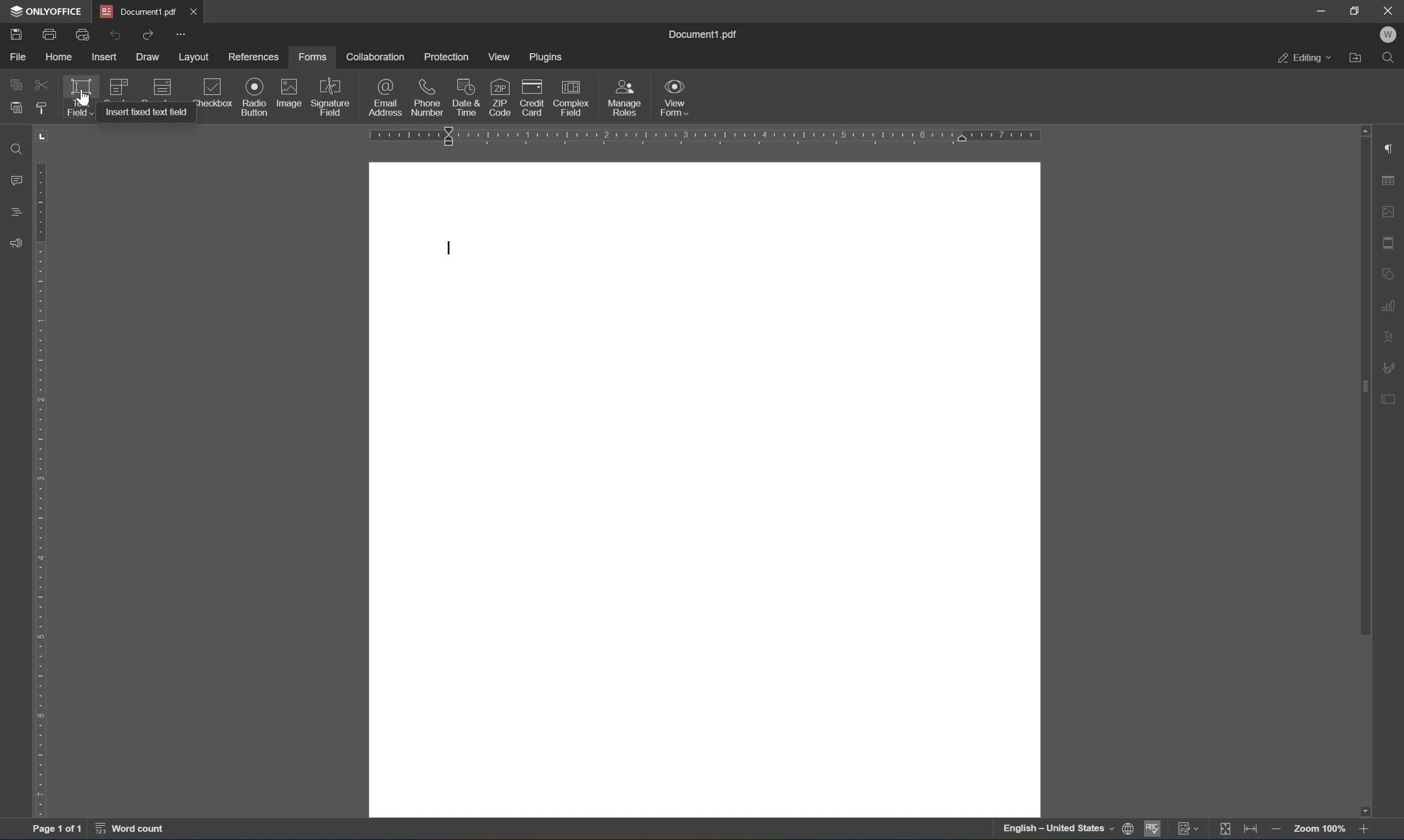 The image size is (1404, 840). What do you see at coordinates (59, 58) in the screenshot?
I see `home` at bounding box center [59, 58].